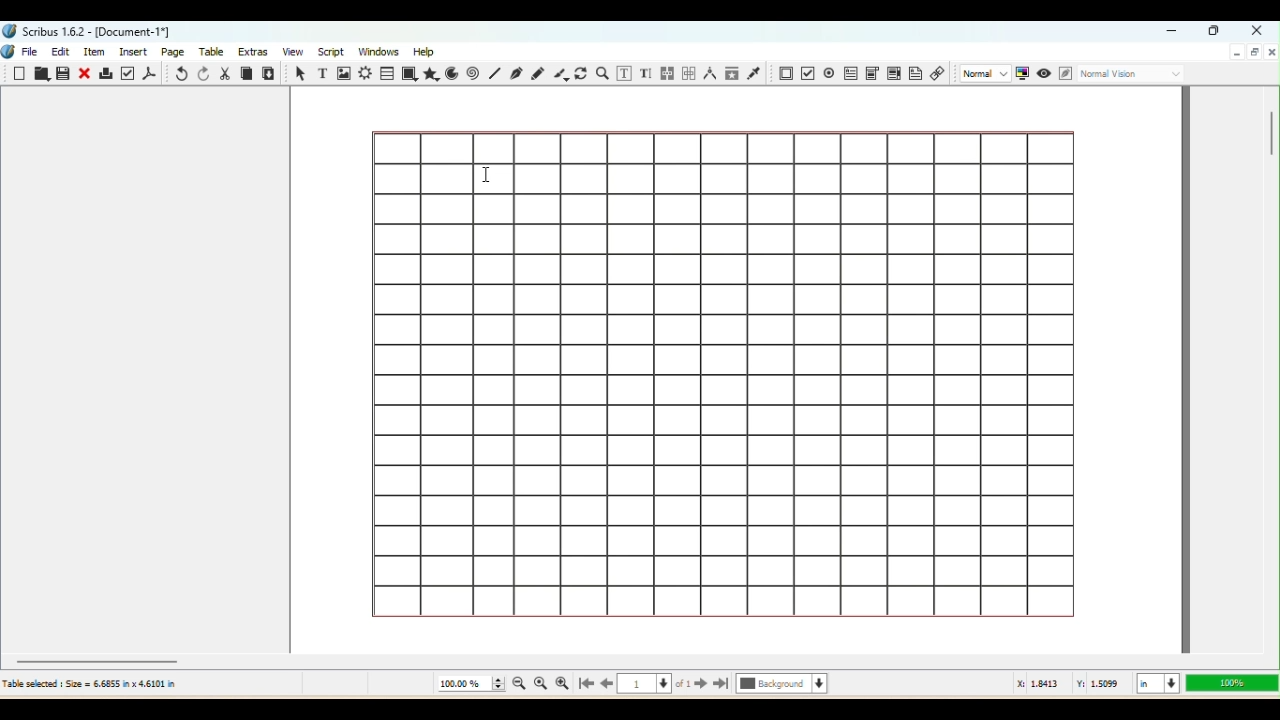 This screenshot has width=1280, height=720. What do you see at coordinates (1070, 685) in the screenshot?
I see `: 1.8413 Y: 1.5099` at bounding box center [1070, 685].